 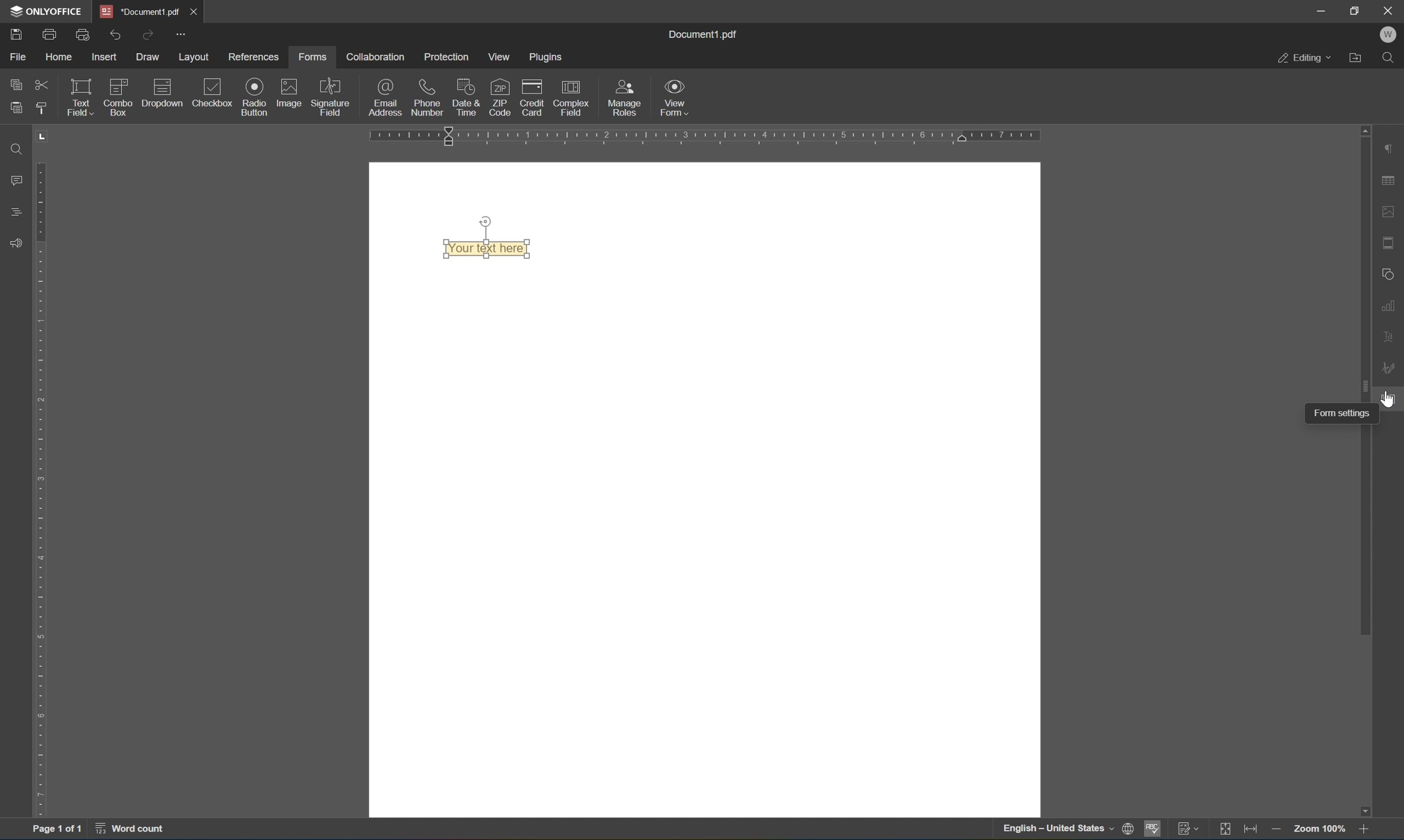 I want to click on image, so click(x=290, y=92).